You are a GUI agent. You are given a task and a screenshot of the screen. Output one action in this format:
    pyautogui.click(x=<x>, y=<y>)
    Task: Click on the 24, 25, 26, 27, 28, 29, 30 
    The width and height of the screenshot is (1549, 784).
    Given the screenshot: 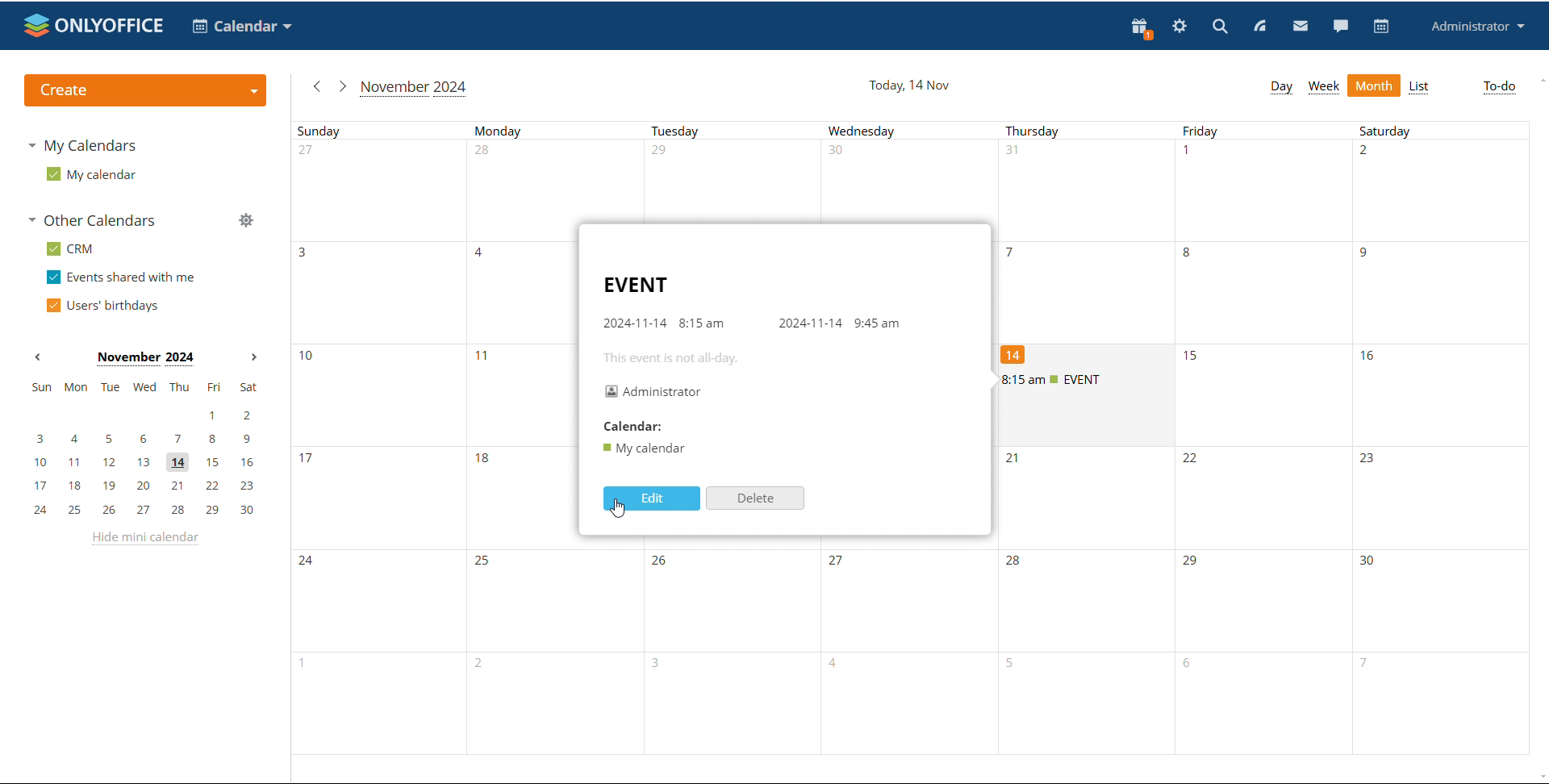 What is the action you would take?
    pyautogui.click(x=144, y=511)
    